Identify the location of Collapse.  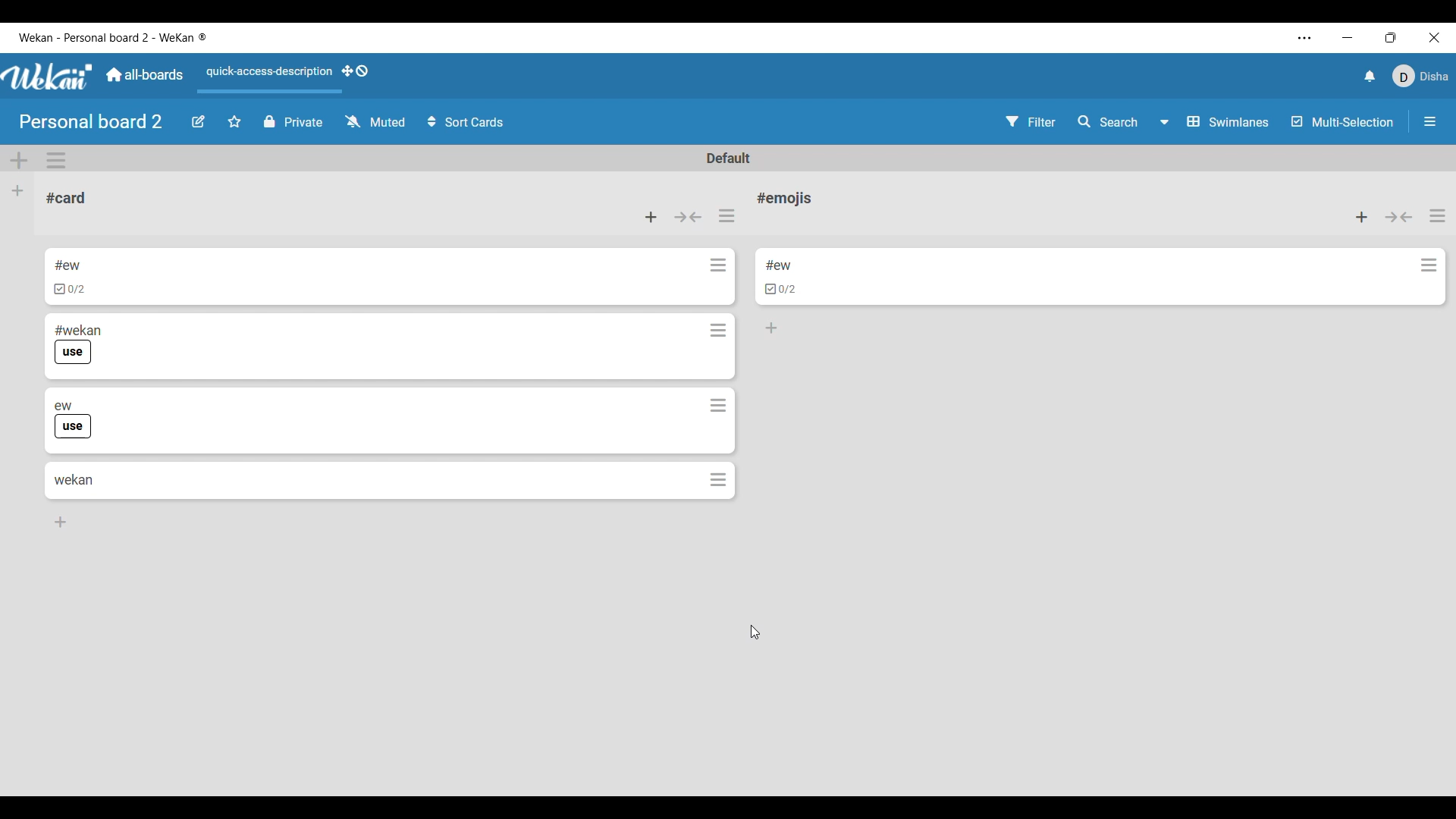
(687, 218).